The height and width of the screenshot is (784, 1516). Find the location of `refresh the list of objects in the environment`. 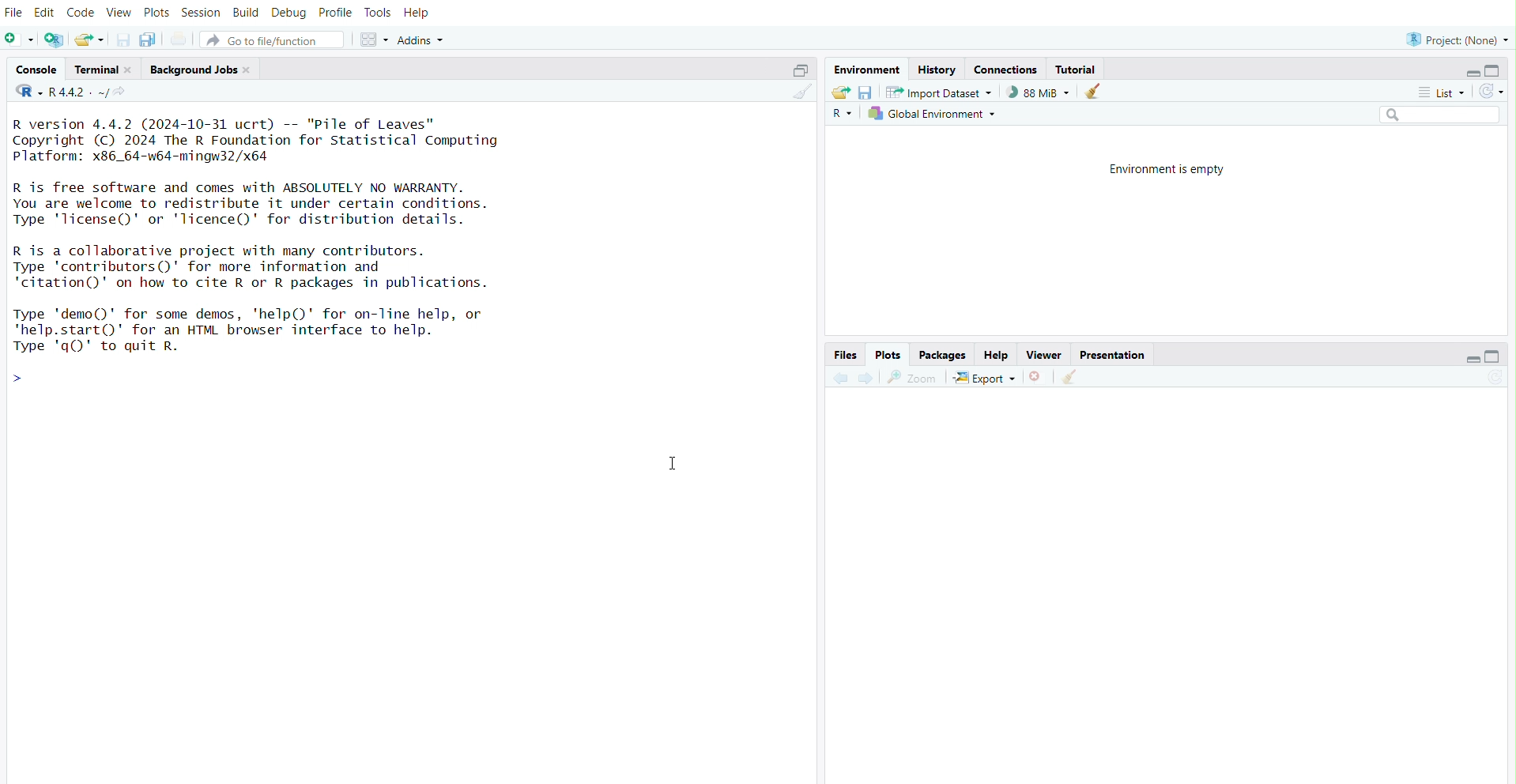

refresh the list of objects in the environment is located at coordinates (1497, 92).